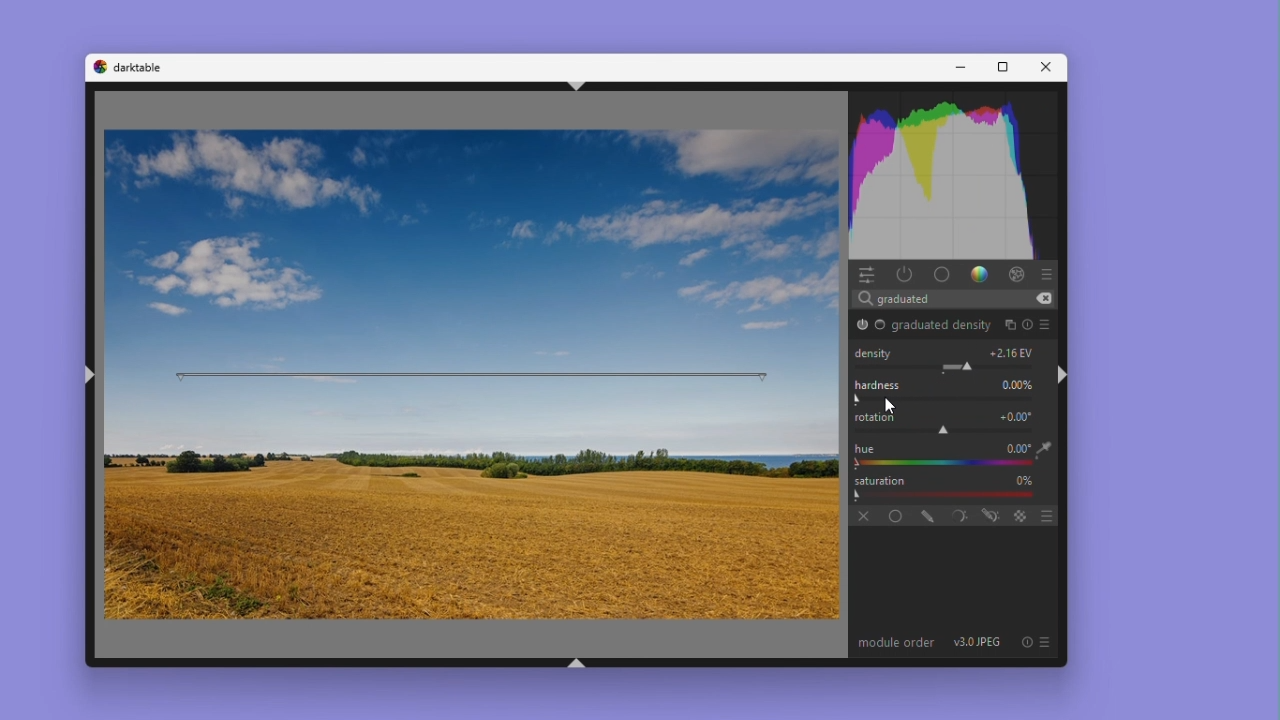 The image size is (1280, 720). Describe the element at coordinates (876, 383) in the screenshot. I see `Hardness` at that location.